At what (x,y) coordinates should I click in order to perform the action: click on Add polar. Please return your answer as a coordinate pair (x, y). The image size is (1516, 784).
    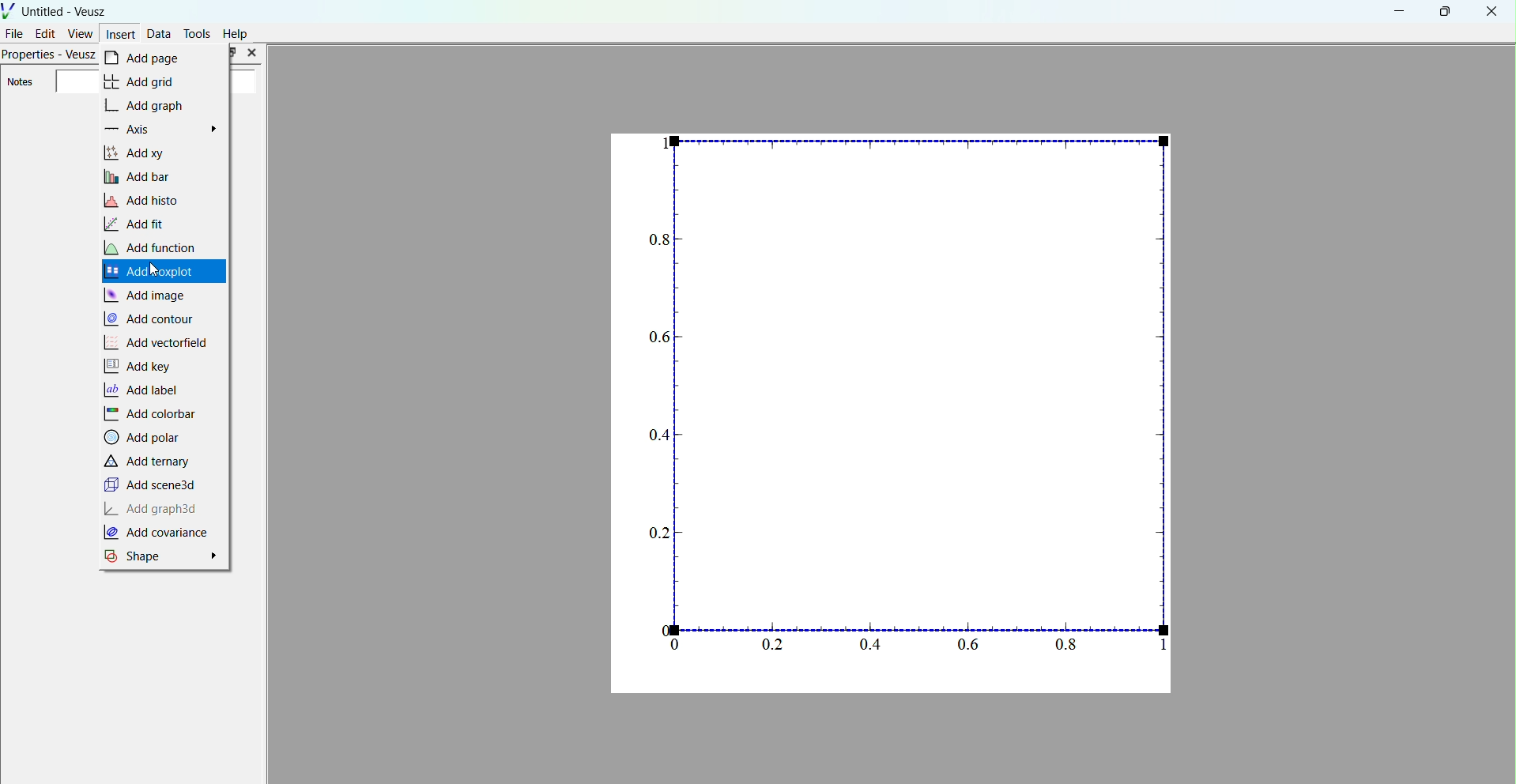
    Looking at the image, I should click on (145, 439).